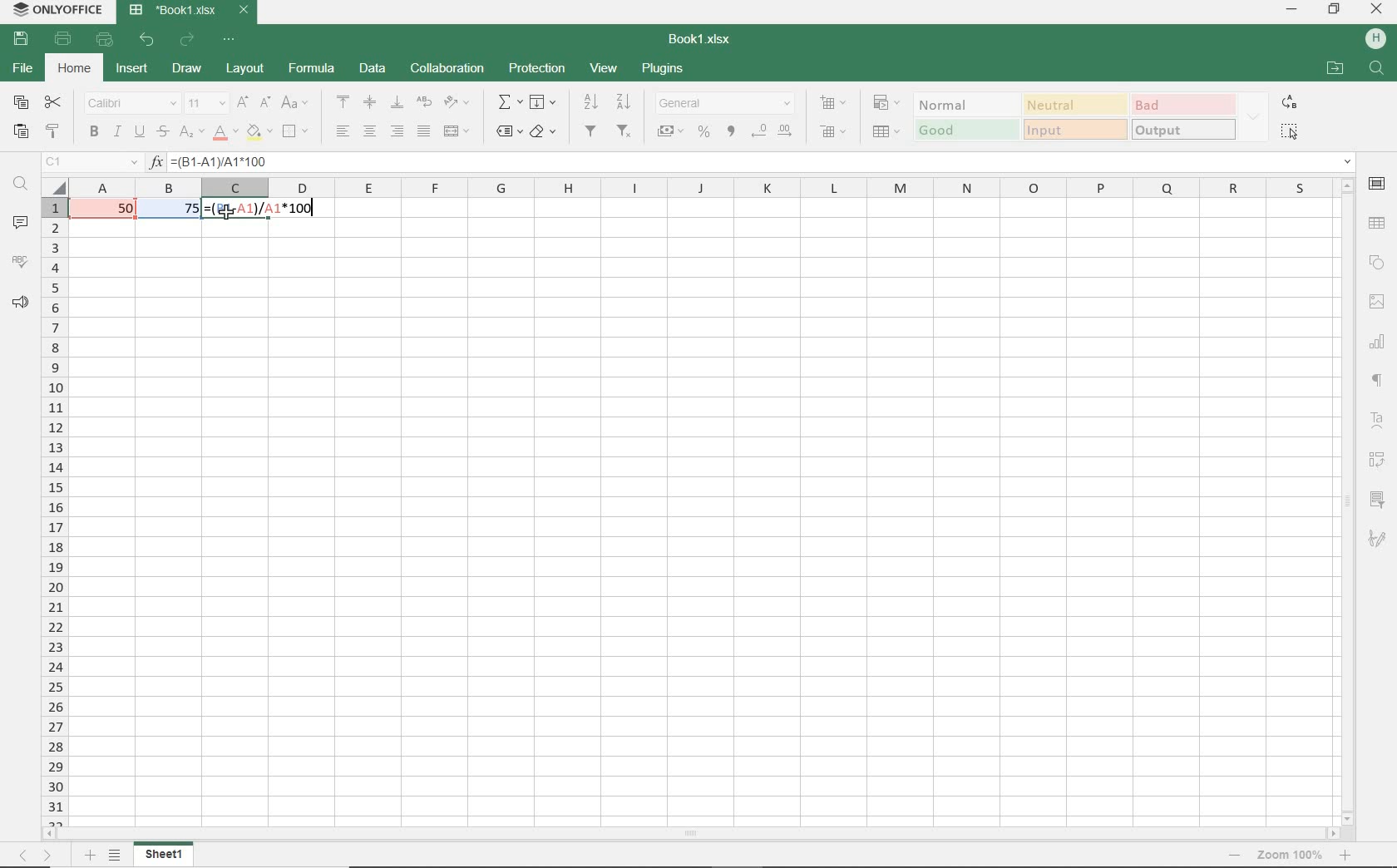  What do you see at coordinates (1375, 299) in the screenshot?
I see `image` at bounding box center [1375, 299].